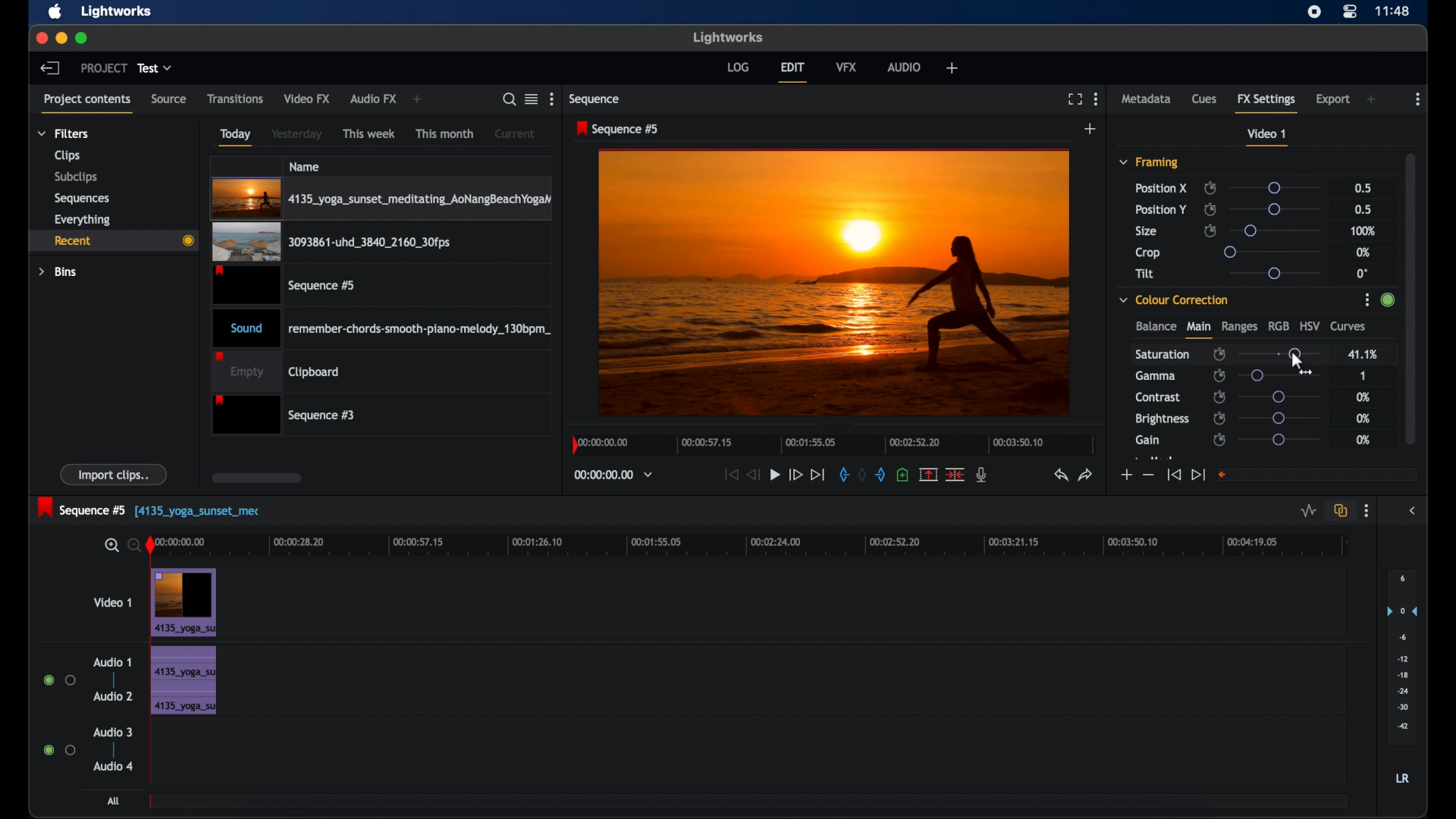 The image size is (1456, 819). Describe the element at coordinates (306, 166) in the screenshot. I see `name` at that location.